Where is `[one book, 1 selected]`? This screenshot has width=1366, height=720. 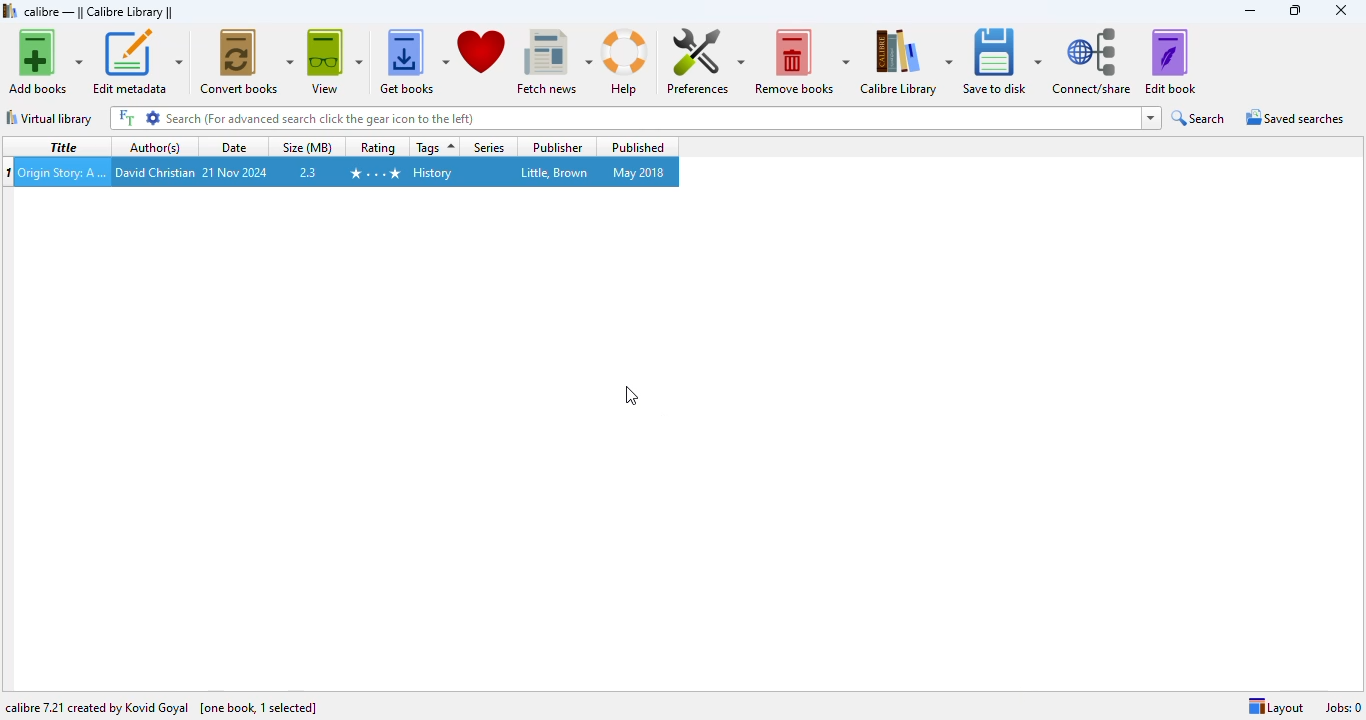
[one book, 1 selected] is located at coordinates (259, 707).